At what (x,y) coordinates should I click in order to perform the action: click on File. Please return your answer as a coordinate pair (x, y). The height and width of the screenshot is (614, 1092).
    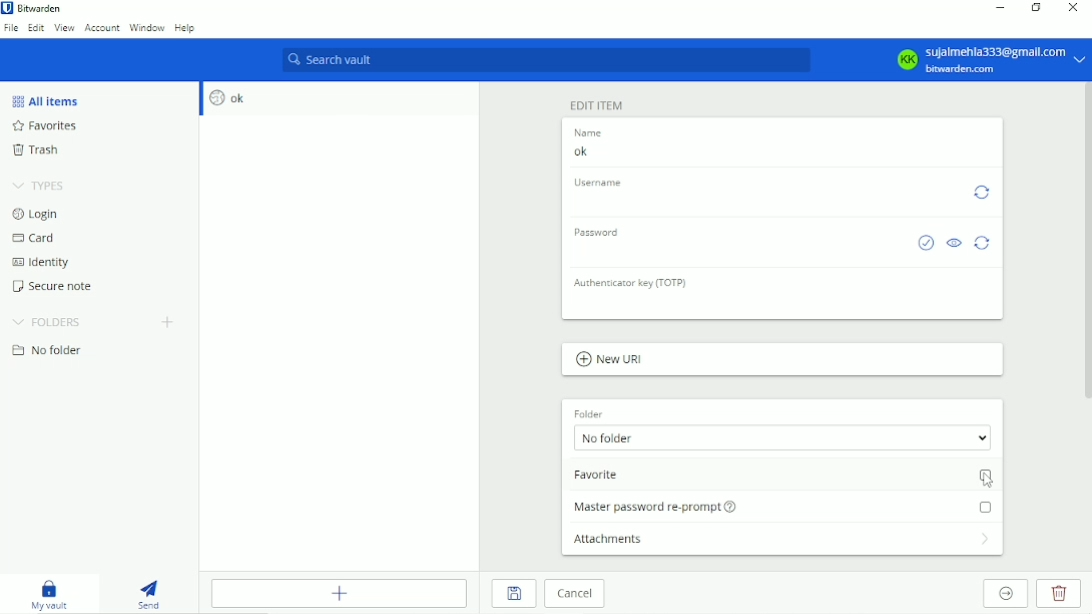
    Looking at the image, I should click on (11, 29).